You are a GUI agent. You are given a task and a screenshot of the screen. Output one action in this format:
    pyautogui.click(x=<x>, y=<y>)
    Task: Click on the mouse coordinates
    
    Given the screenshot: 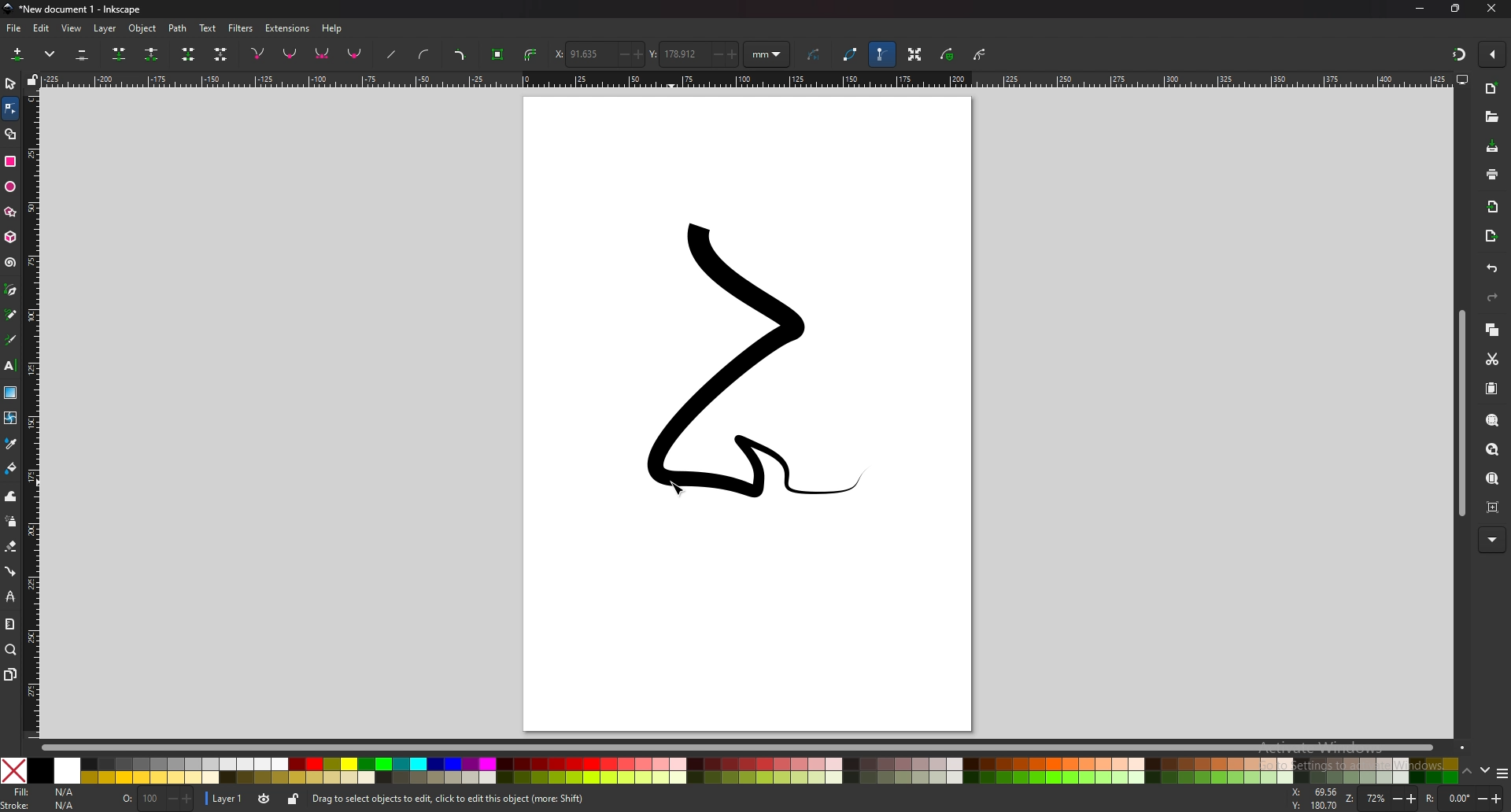 What is the action you would take?
    pyautogui.click(x=1312, y=799)
    